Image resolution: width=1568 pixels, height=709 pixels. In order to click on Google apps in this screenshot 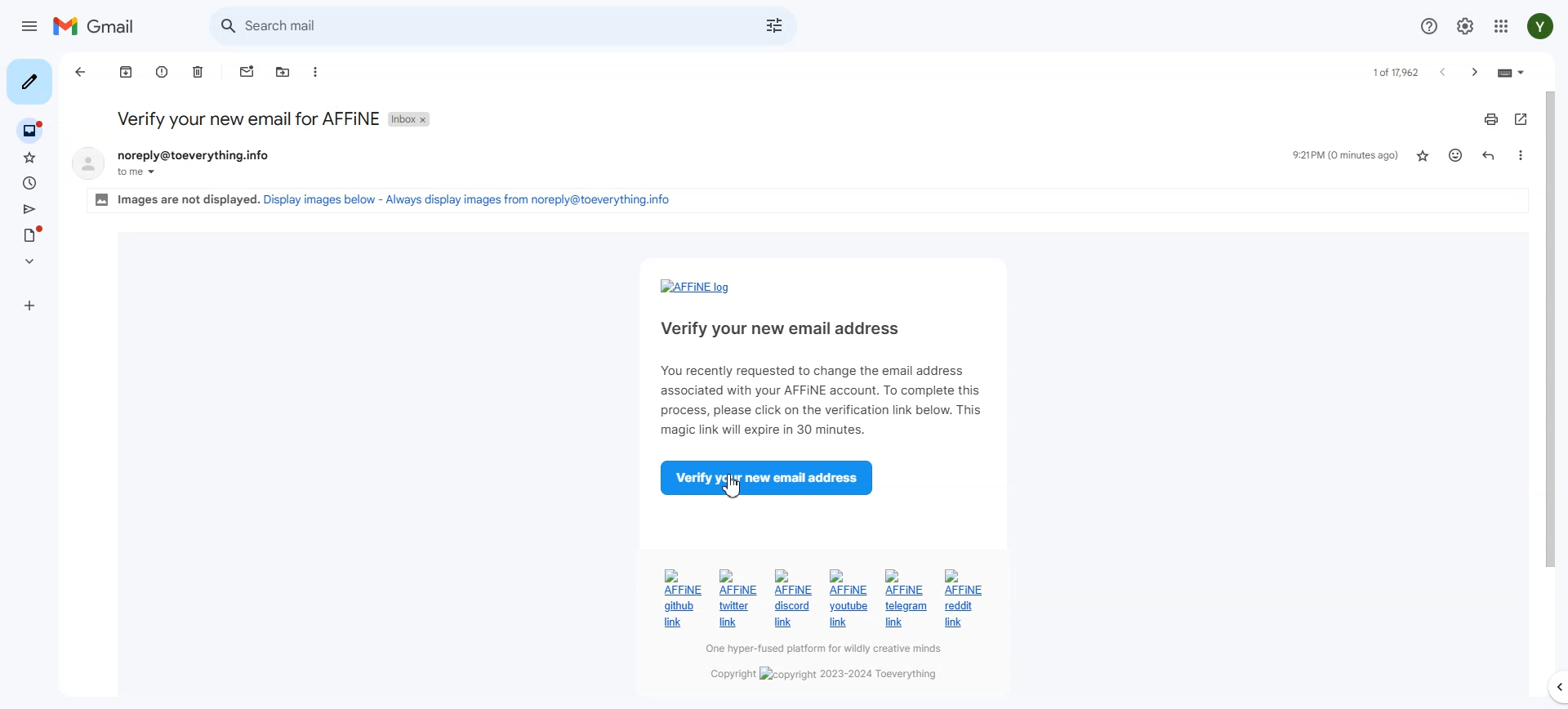, I will do `click(1500, 26)`.